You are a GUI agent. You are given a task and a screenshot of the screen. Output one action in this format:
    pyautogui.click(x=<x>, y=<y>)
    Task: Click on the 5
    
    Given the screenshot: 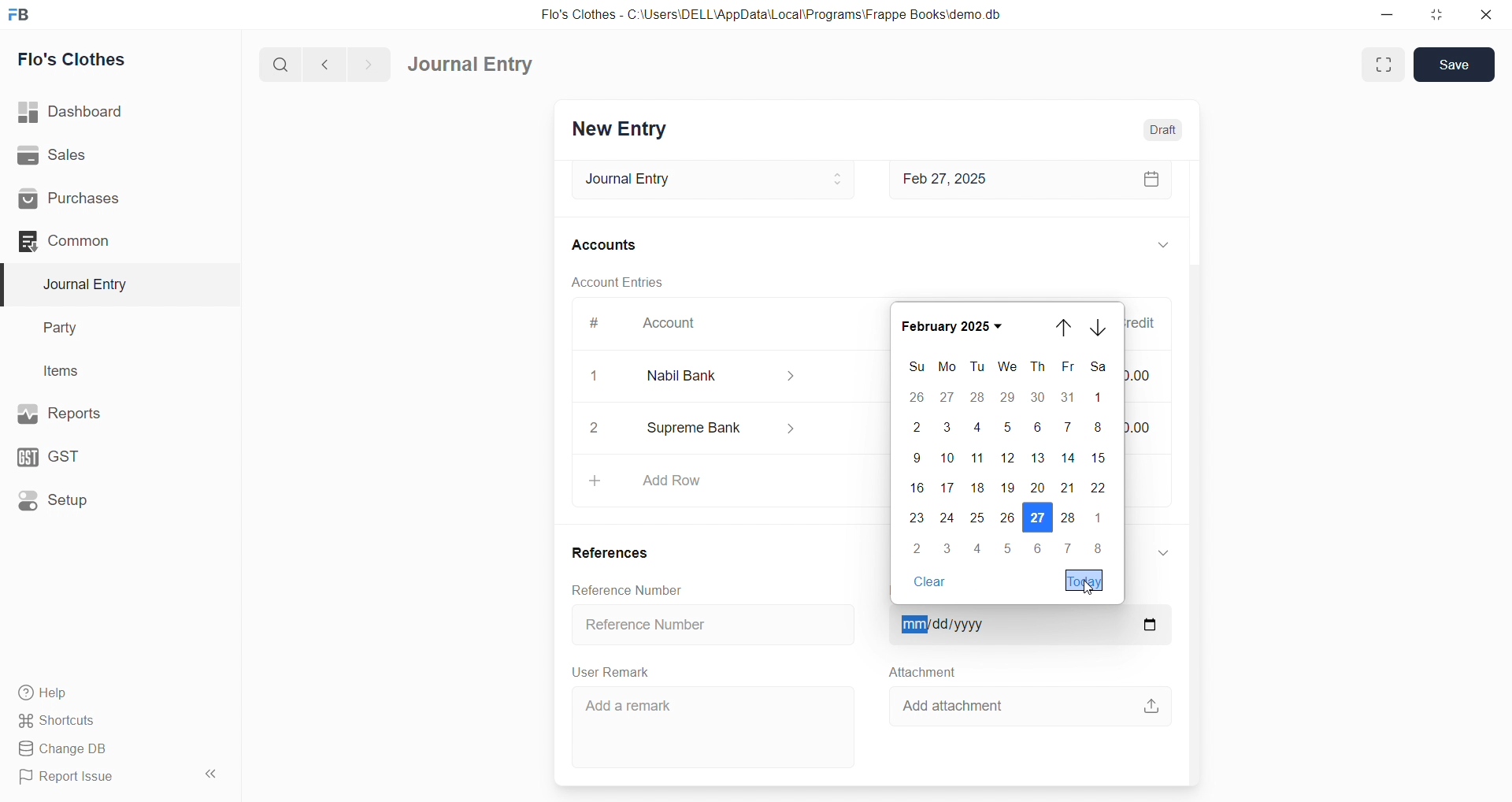 What is the action you would take?
    pyautogui.click(x=1010, y=547)
    